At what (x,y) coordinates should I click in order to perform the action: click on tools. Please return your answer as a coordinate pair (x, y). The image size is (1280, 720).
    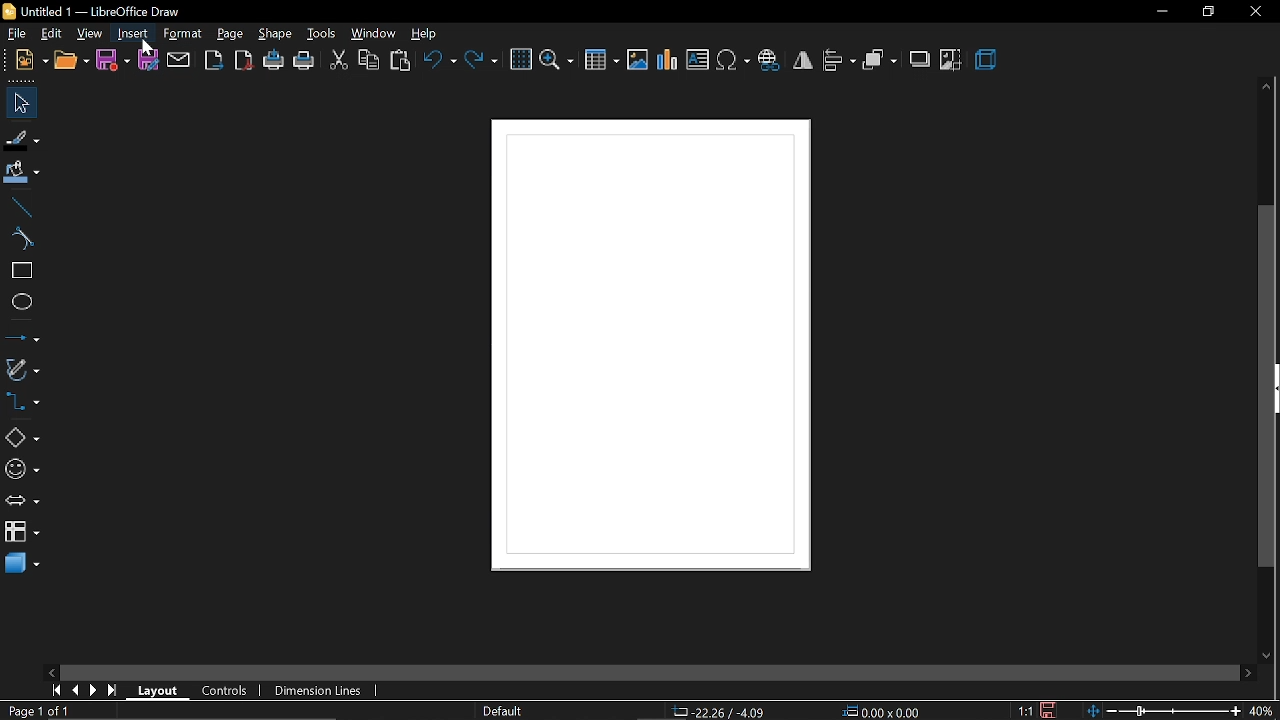
    Looking at the image, I should click on (322, 34).